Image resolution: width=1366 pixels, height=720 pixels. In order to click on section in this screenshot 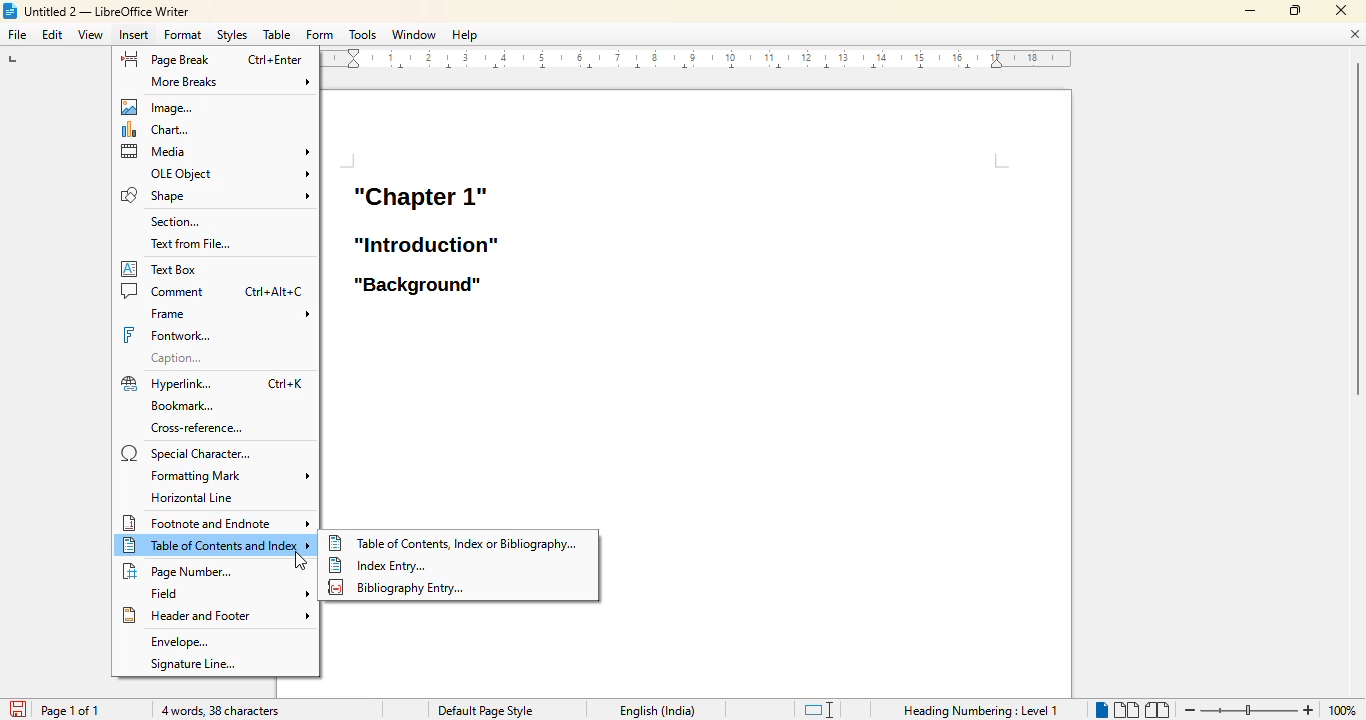, I will do `click(174, 221)`.